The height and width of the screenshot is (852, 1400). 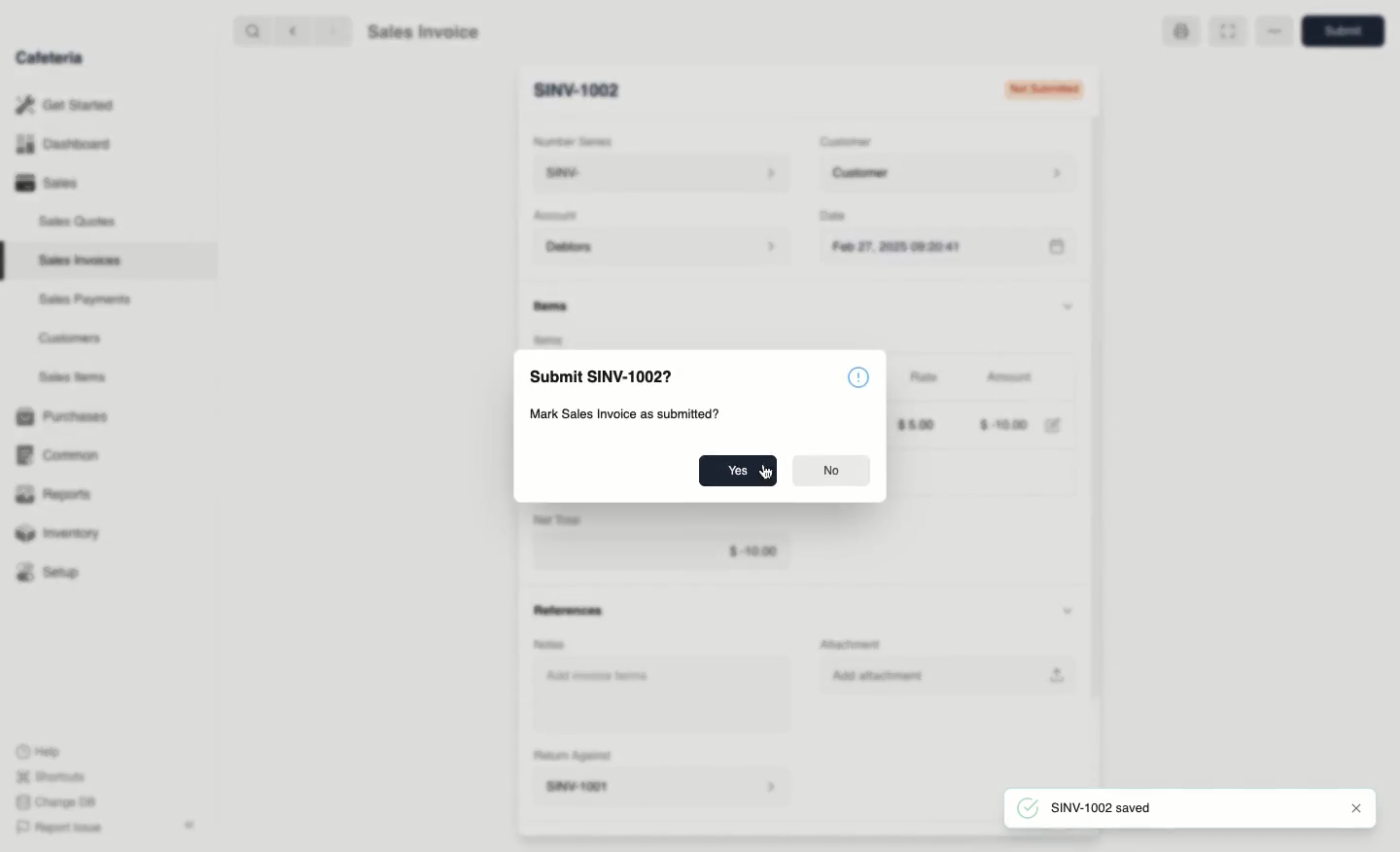 I want to click on Purchases, so click(x=67, y=416).